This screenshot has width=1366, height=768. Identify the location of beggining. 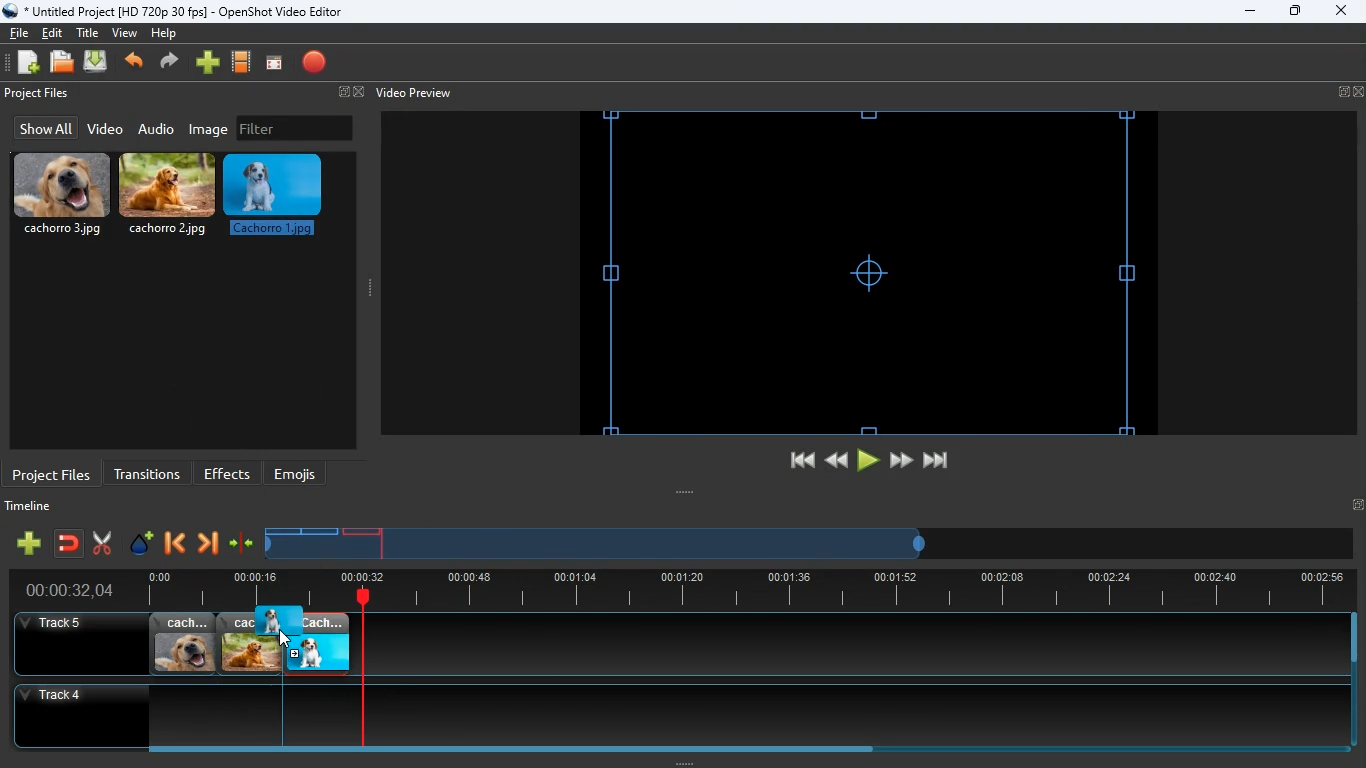
(793, 461).